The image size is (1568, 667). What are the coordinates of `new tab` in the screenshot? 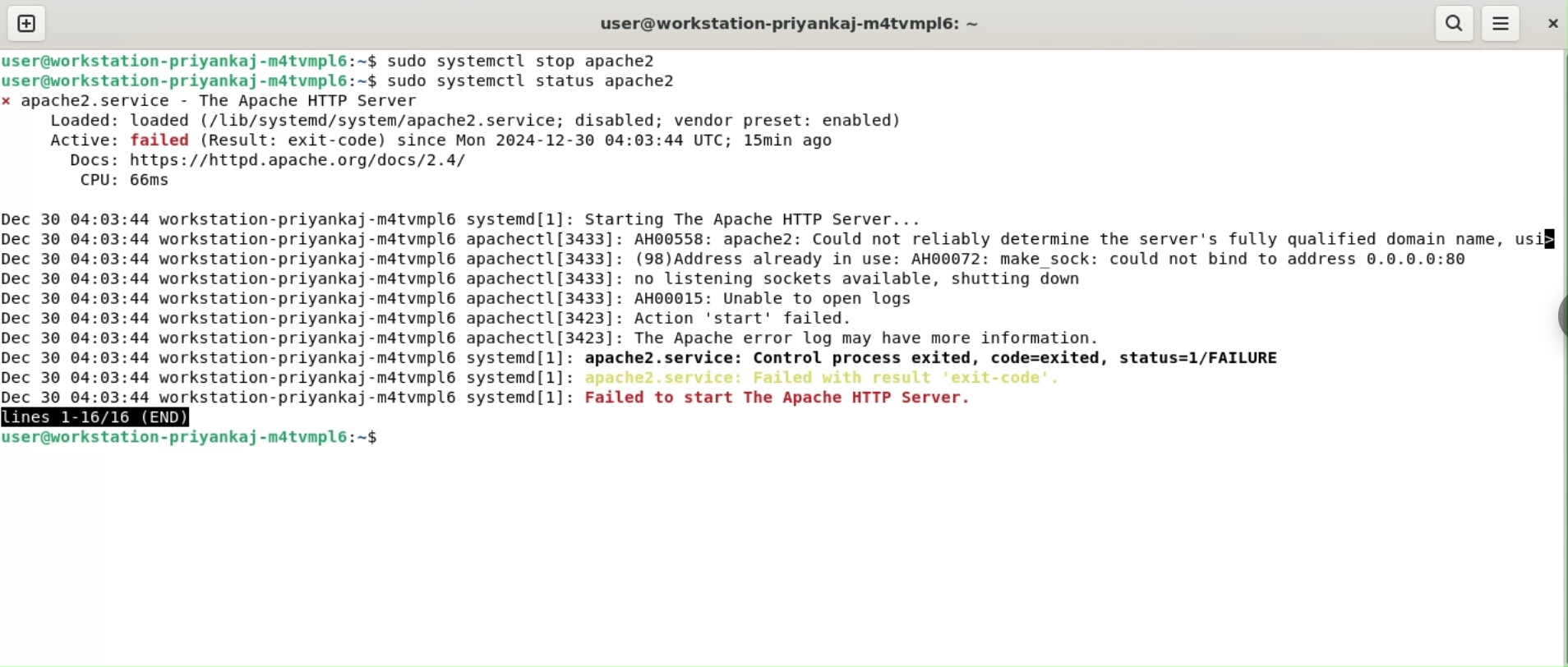 It's located at (27, 23).